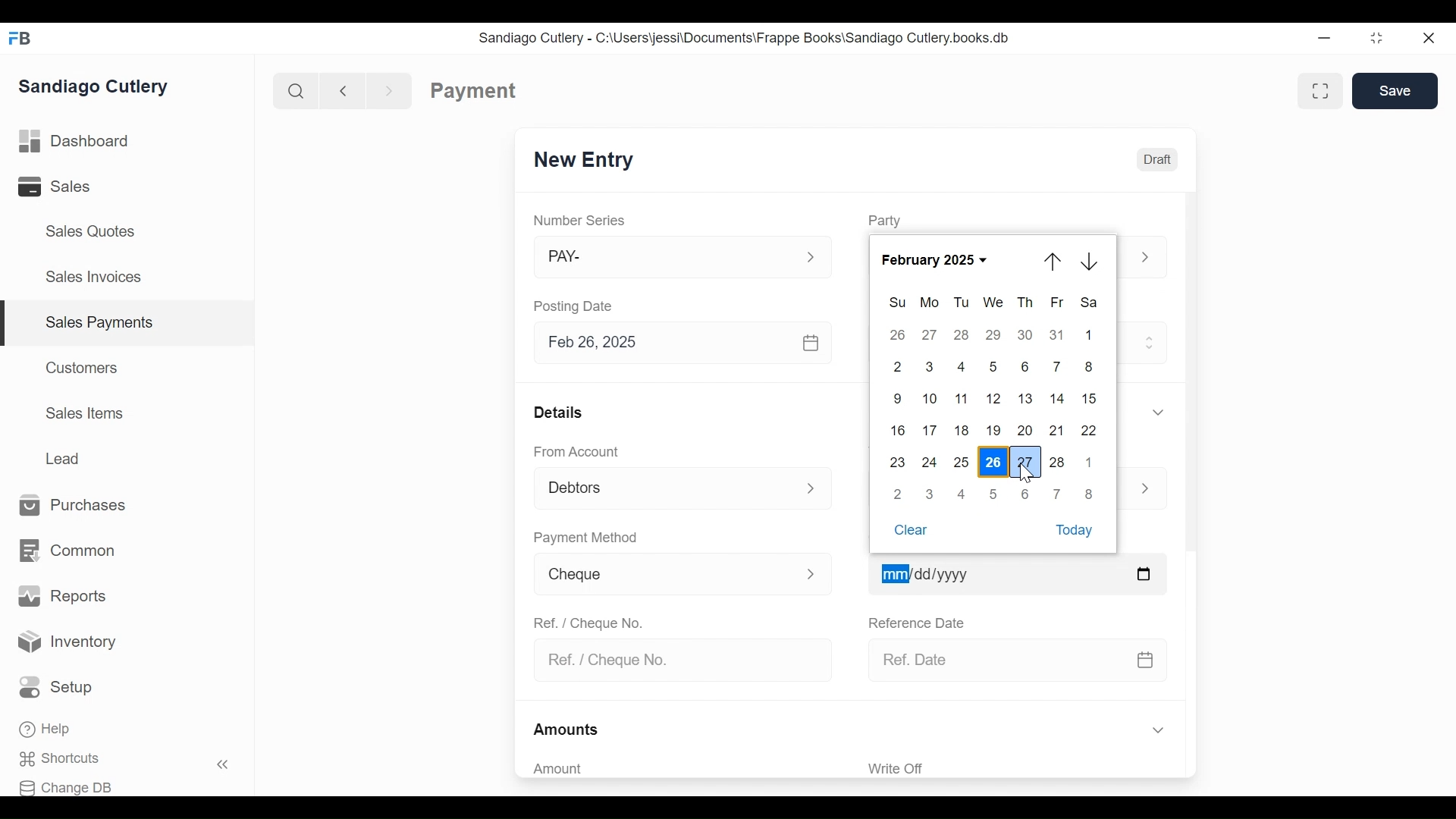 The height and width of the screenshot is (819, 1456). I want to click on Toggle form and full width , so click(1326, 88).